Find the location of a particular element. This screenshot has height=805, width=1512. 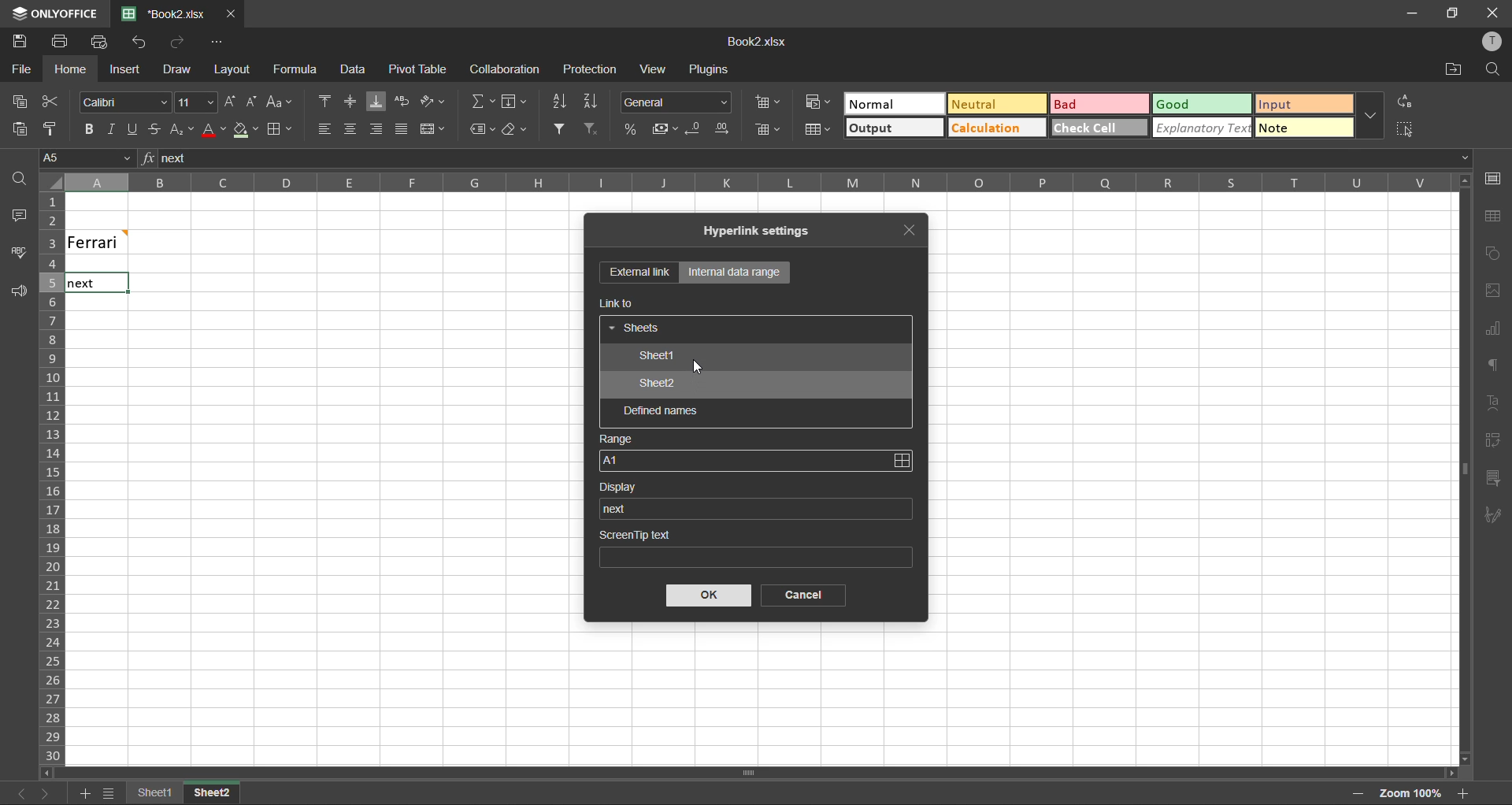

align left is located at coordinates (324, 127).